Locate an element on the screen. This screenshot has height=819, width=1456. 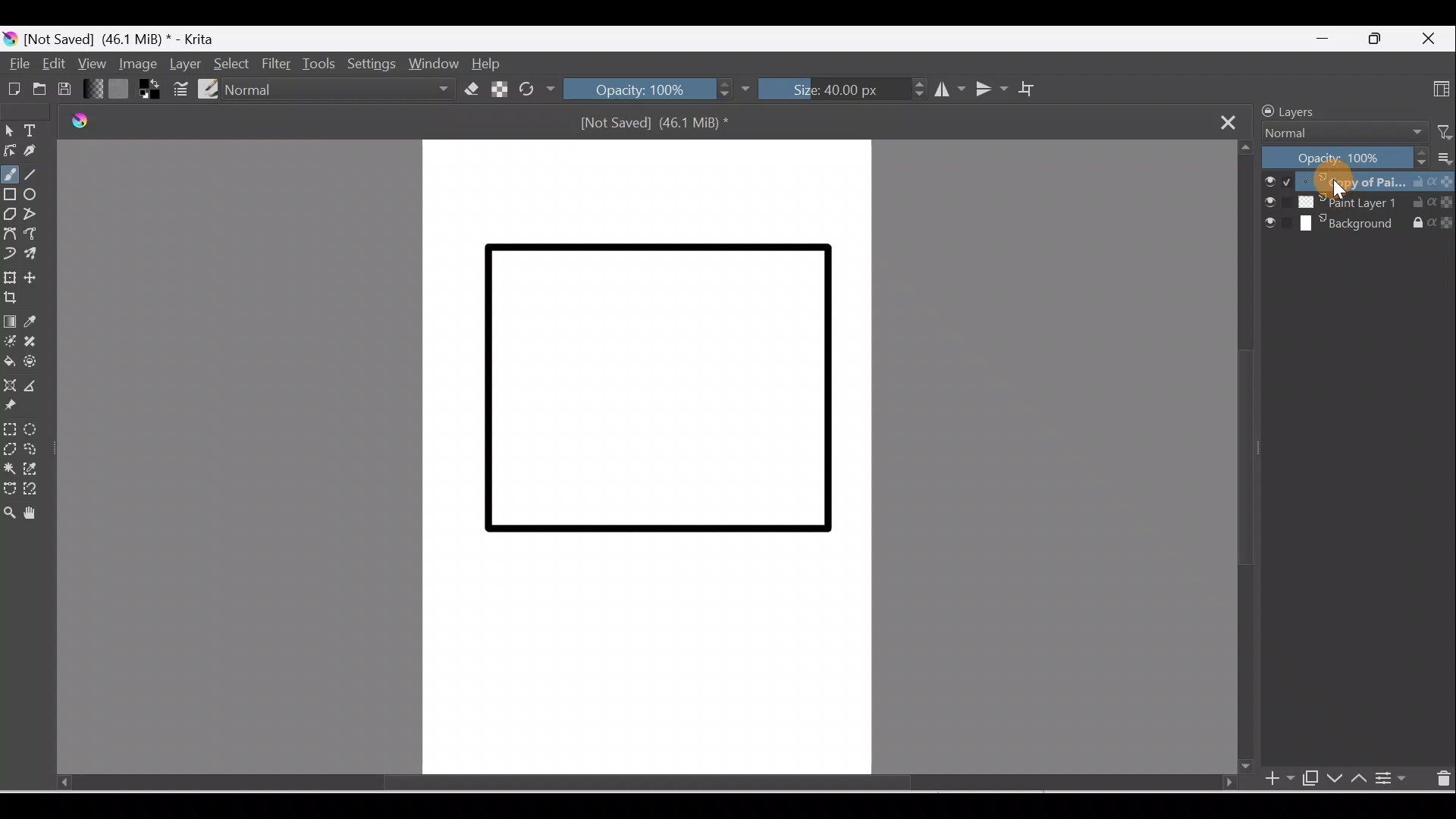
Crop the image to an area is located at coordinates (13, 298).